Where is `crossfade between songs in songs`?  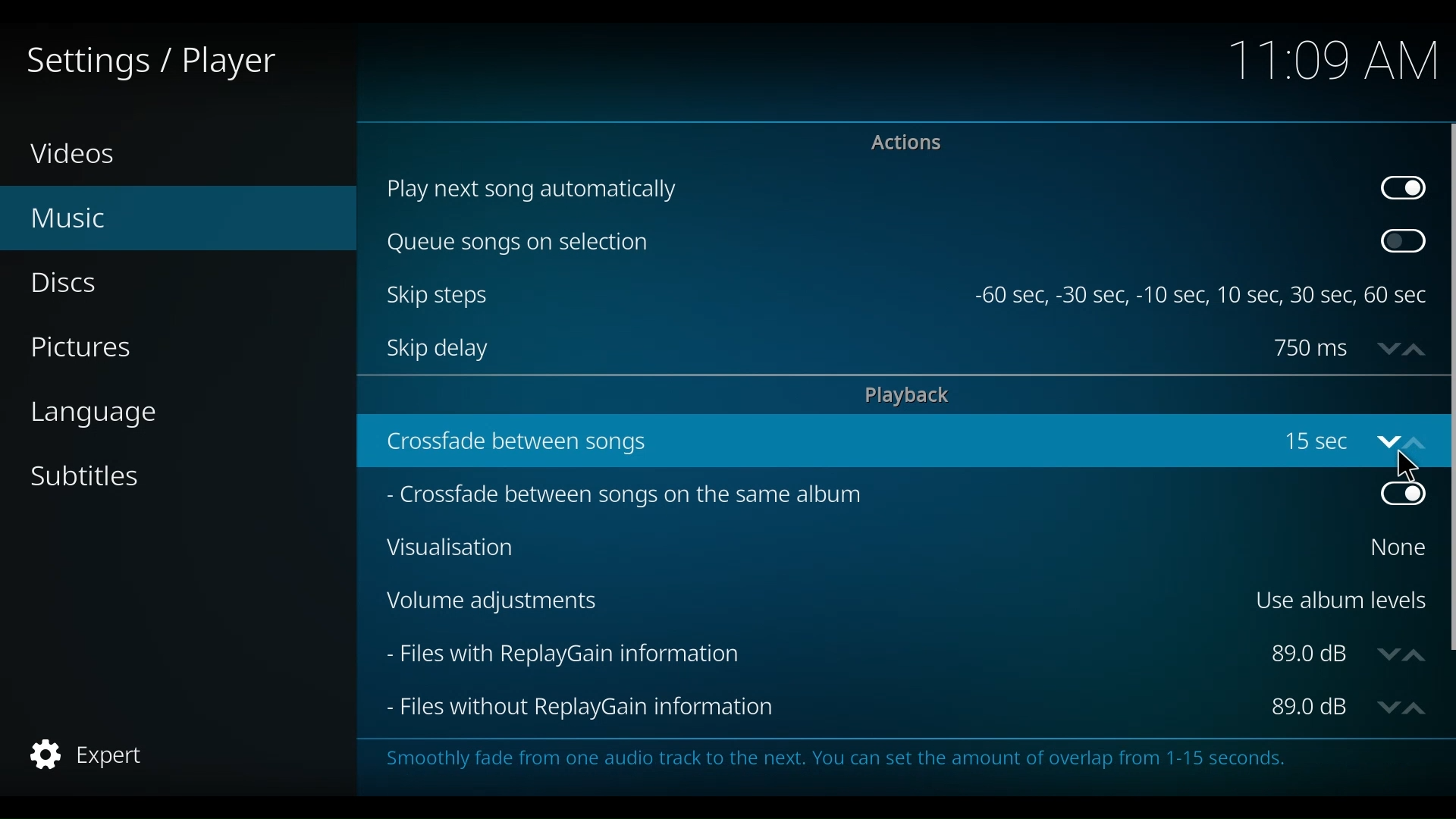
crossfade between songs in songs is located at coordinates (1317, 441).